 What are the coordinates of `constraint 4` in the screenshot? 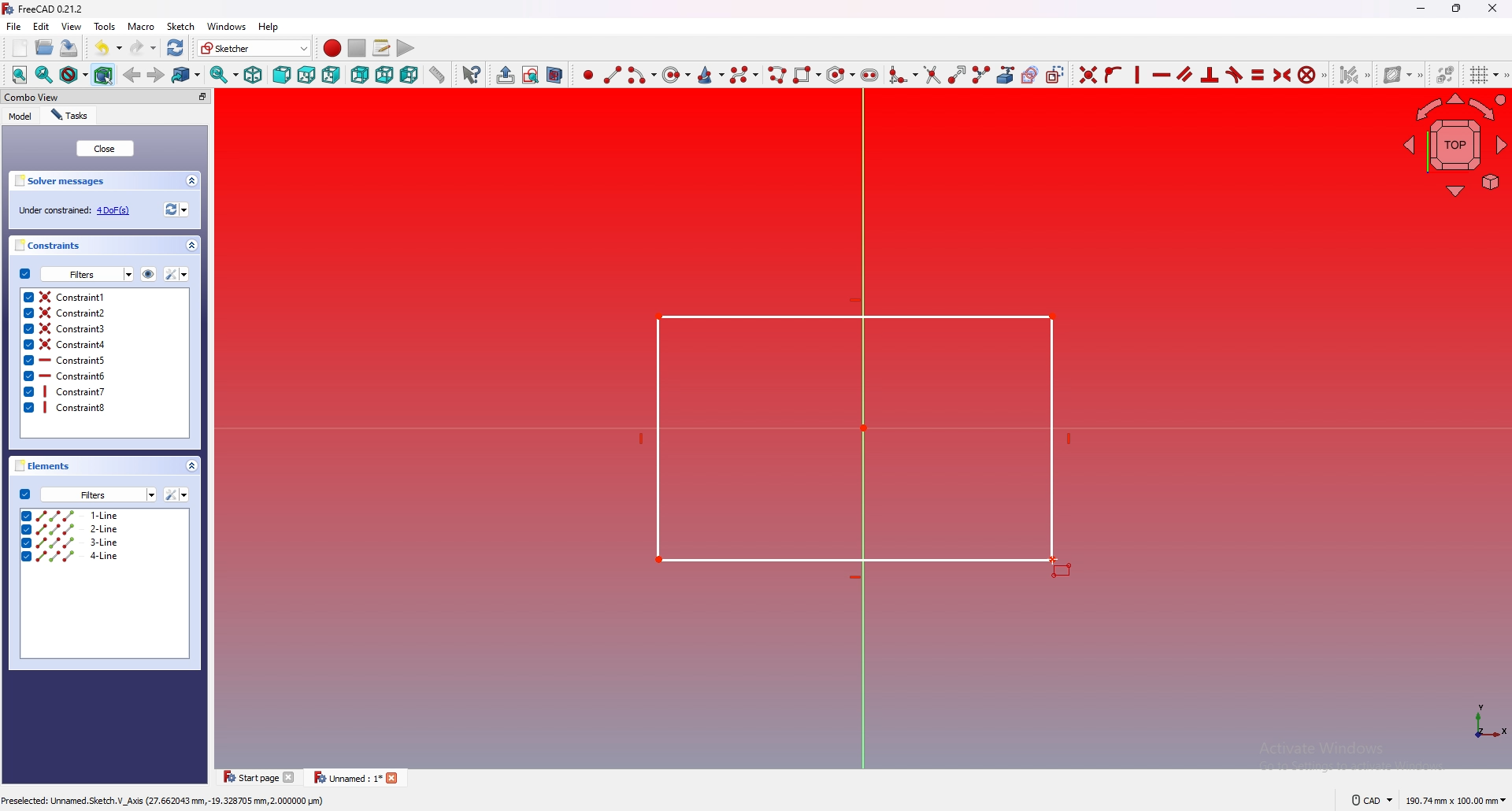 It's located at (103, 343).